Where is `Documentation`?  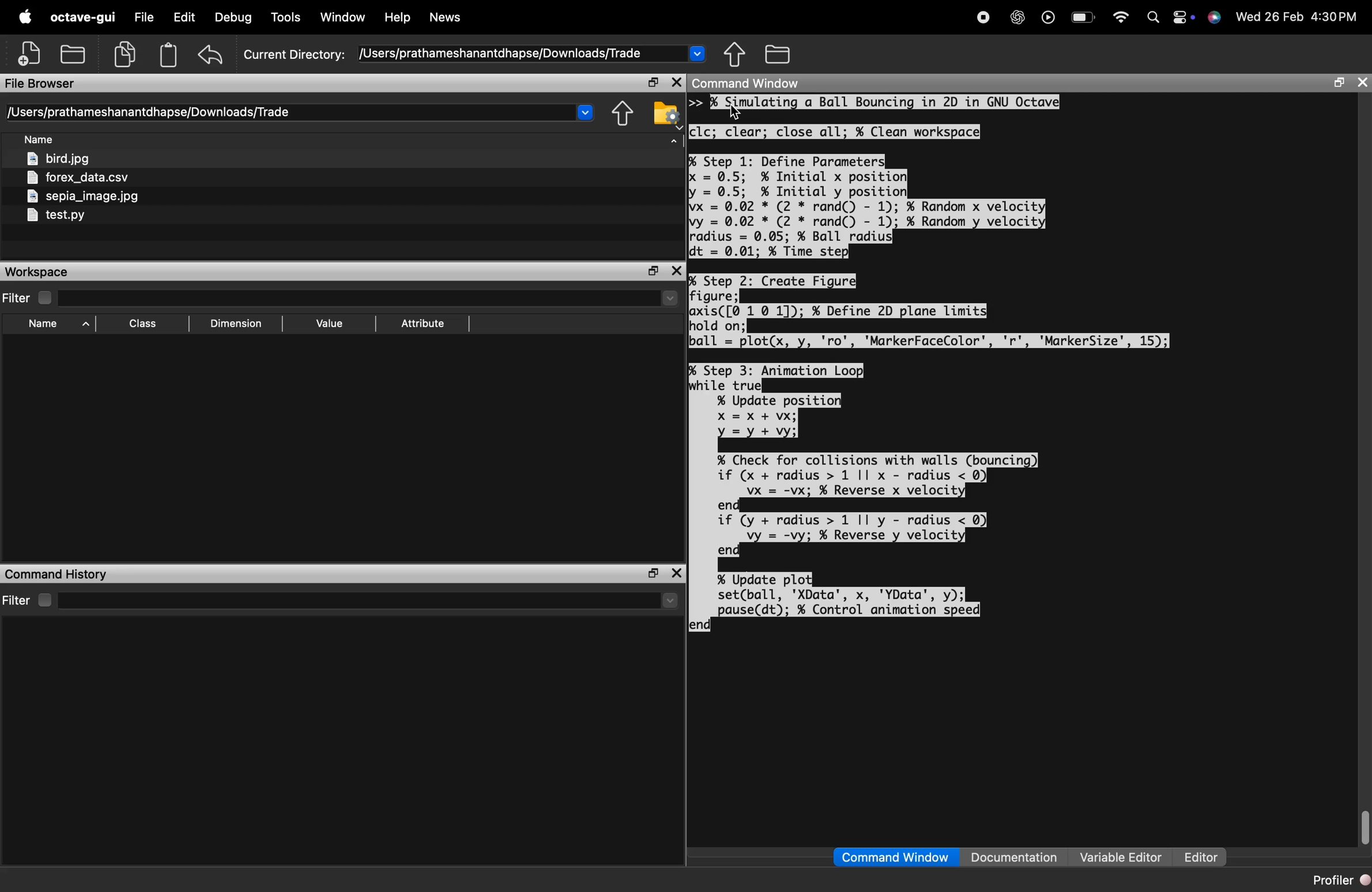 Documentation is located at coordinates (1015, 857).